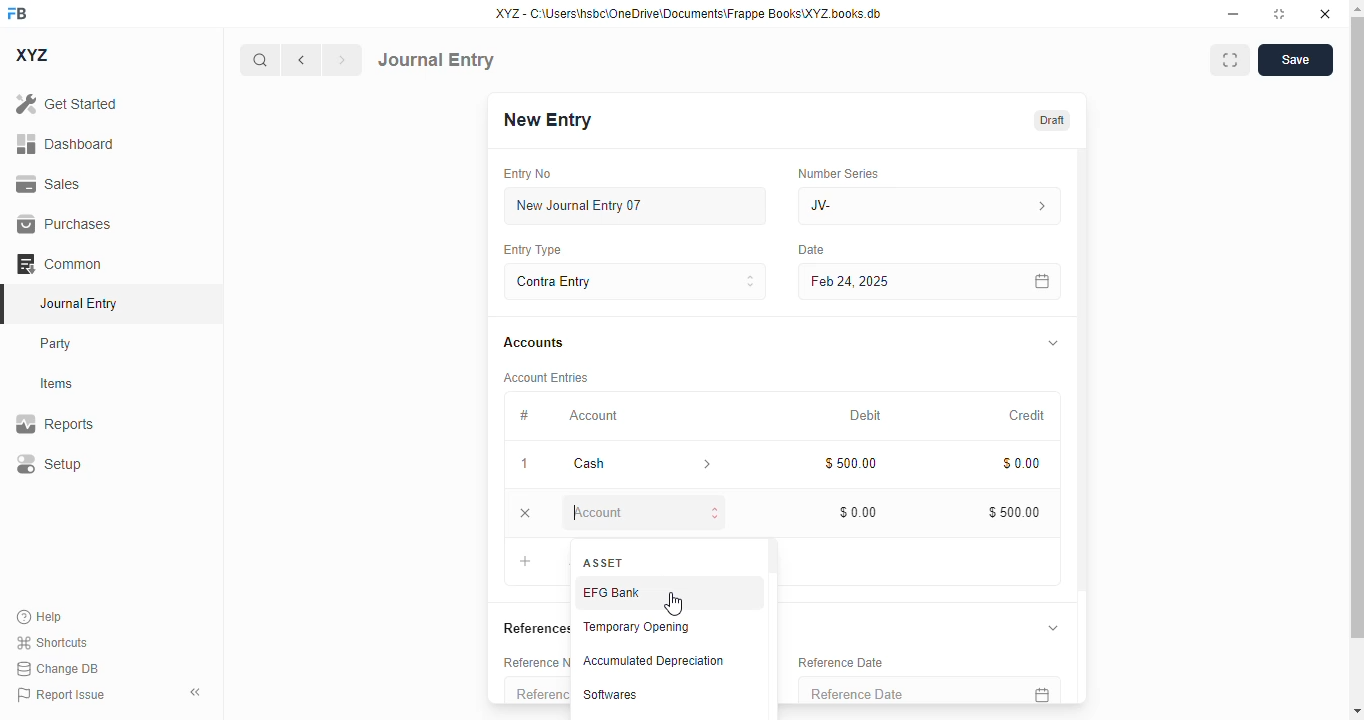  I want to click on reference number, so click(534, 661).